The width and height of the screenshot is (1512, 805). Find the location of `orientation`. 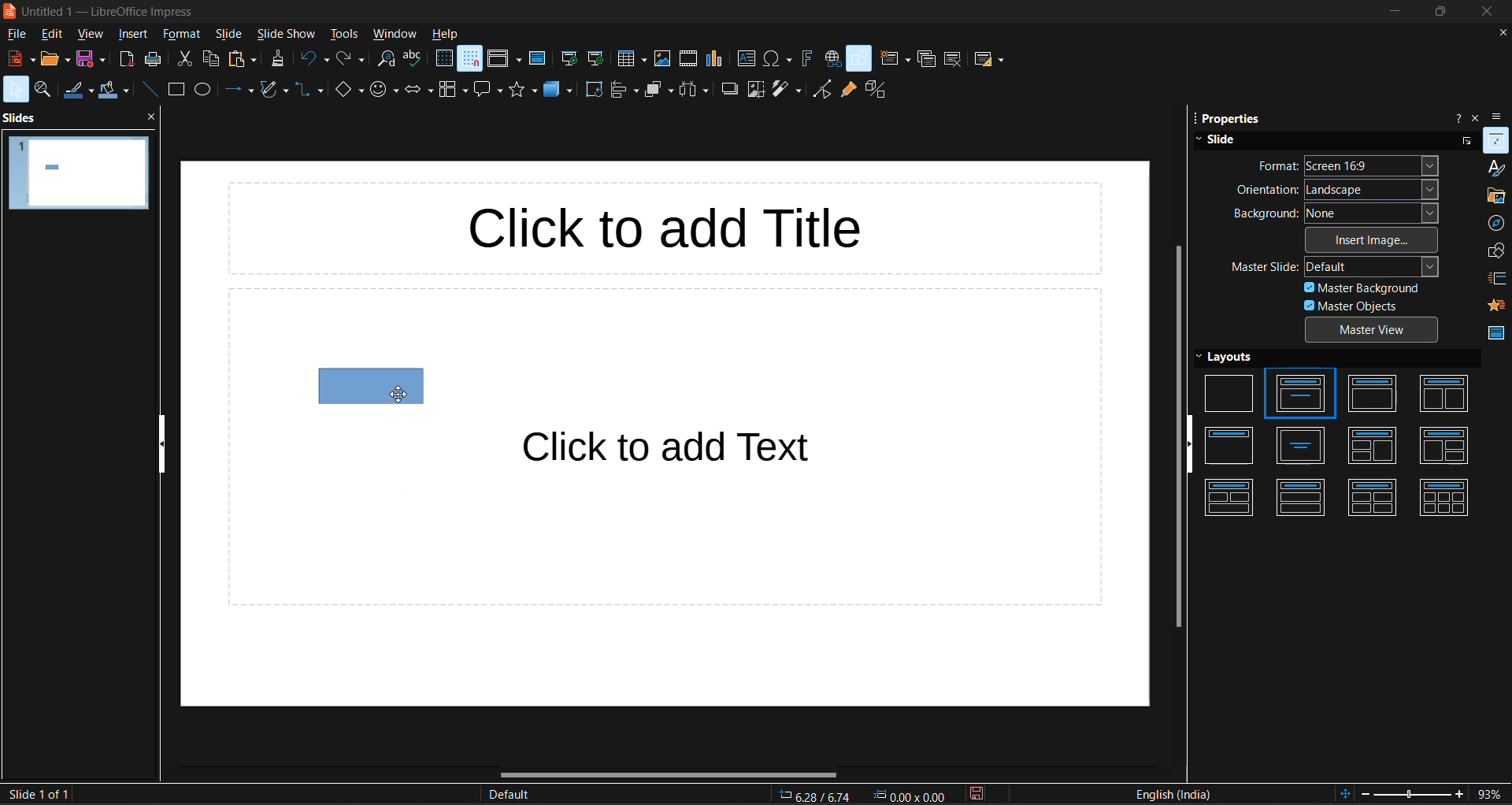

orientation is located at coordinates (1338, 191).